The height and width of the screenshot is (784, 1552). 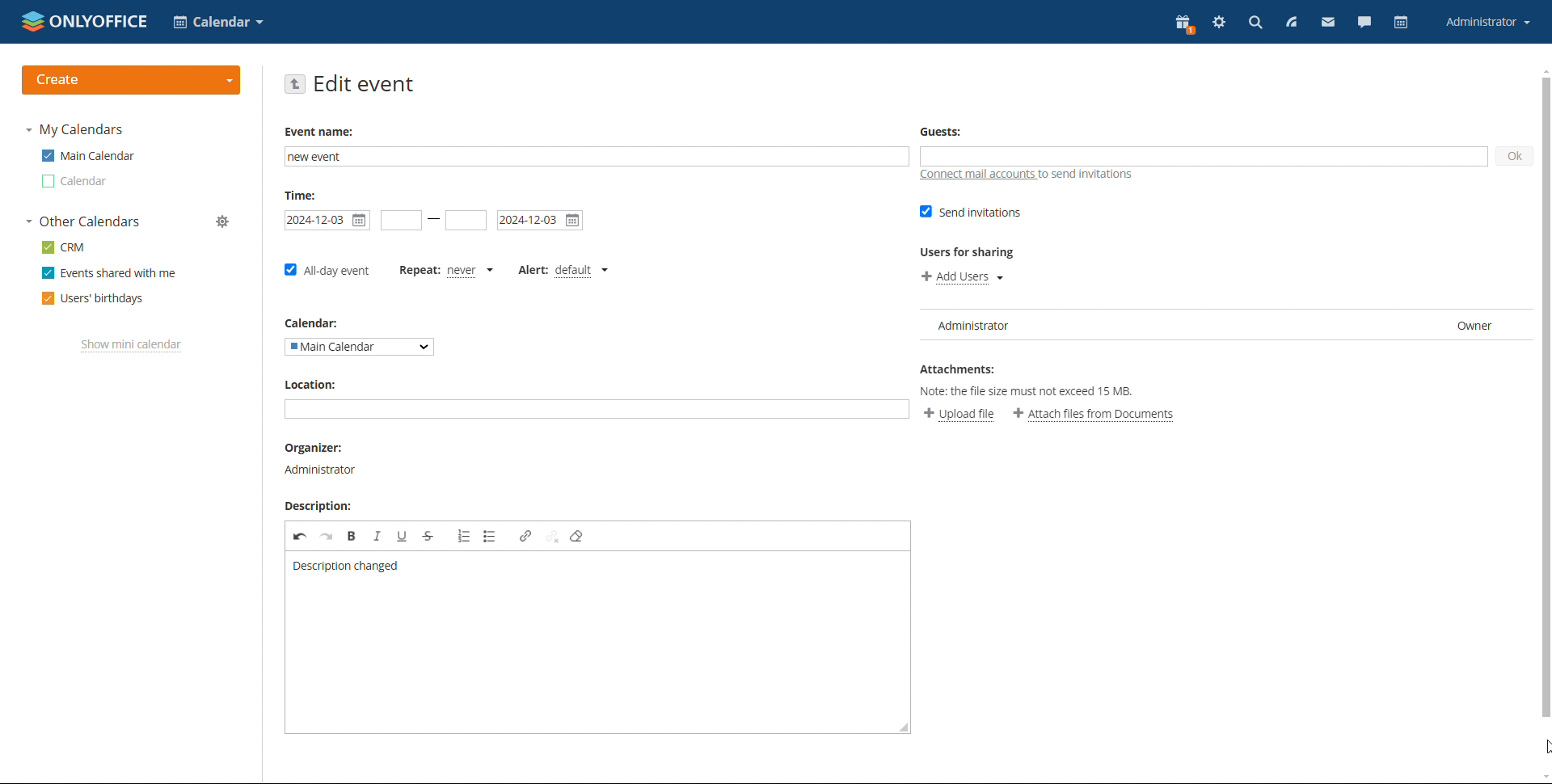 I want to click on undo, so click(x=300, y=537).